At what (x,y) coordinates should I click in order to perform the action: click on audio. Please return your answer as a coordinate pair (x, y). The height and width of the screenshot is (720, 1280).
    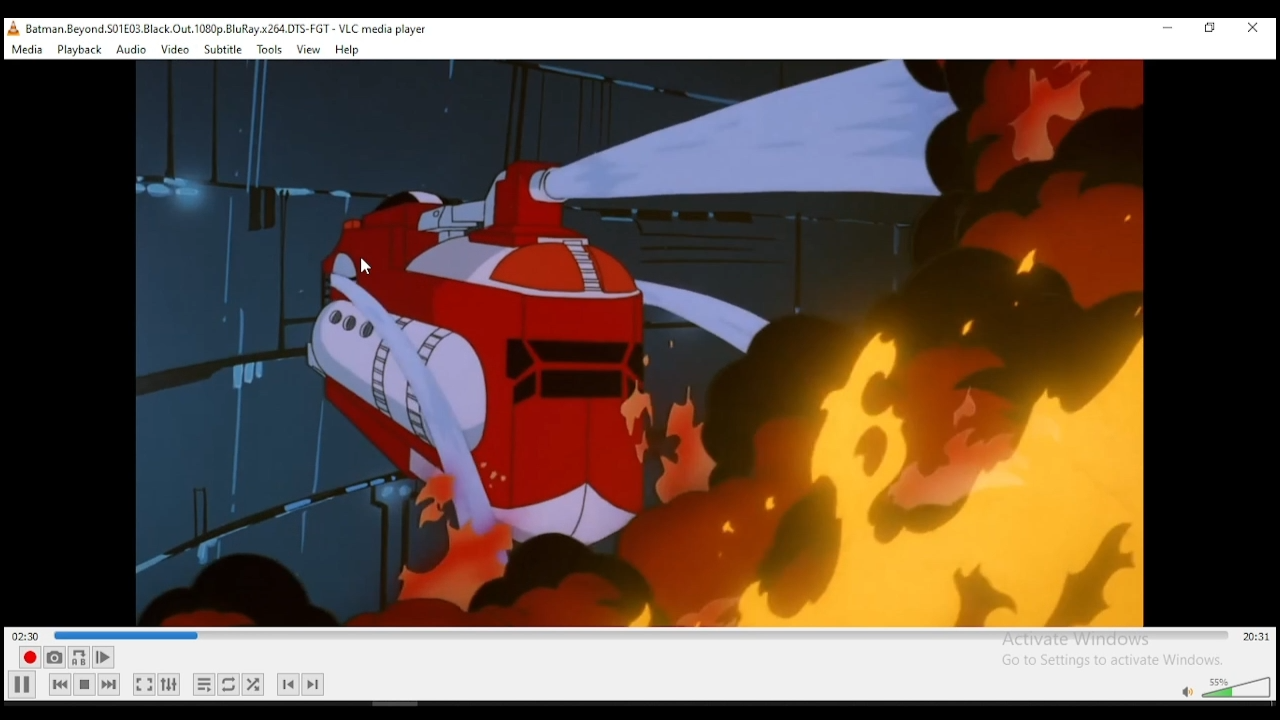
    Looking at the image, I should click on (130, 50).